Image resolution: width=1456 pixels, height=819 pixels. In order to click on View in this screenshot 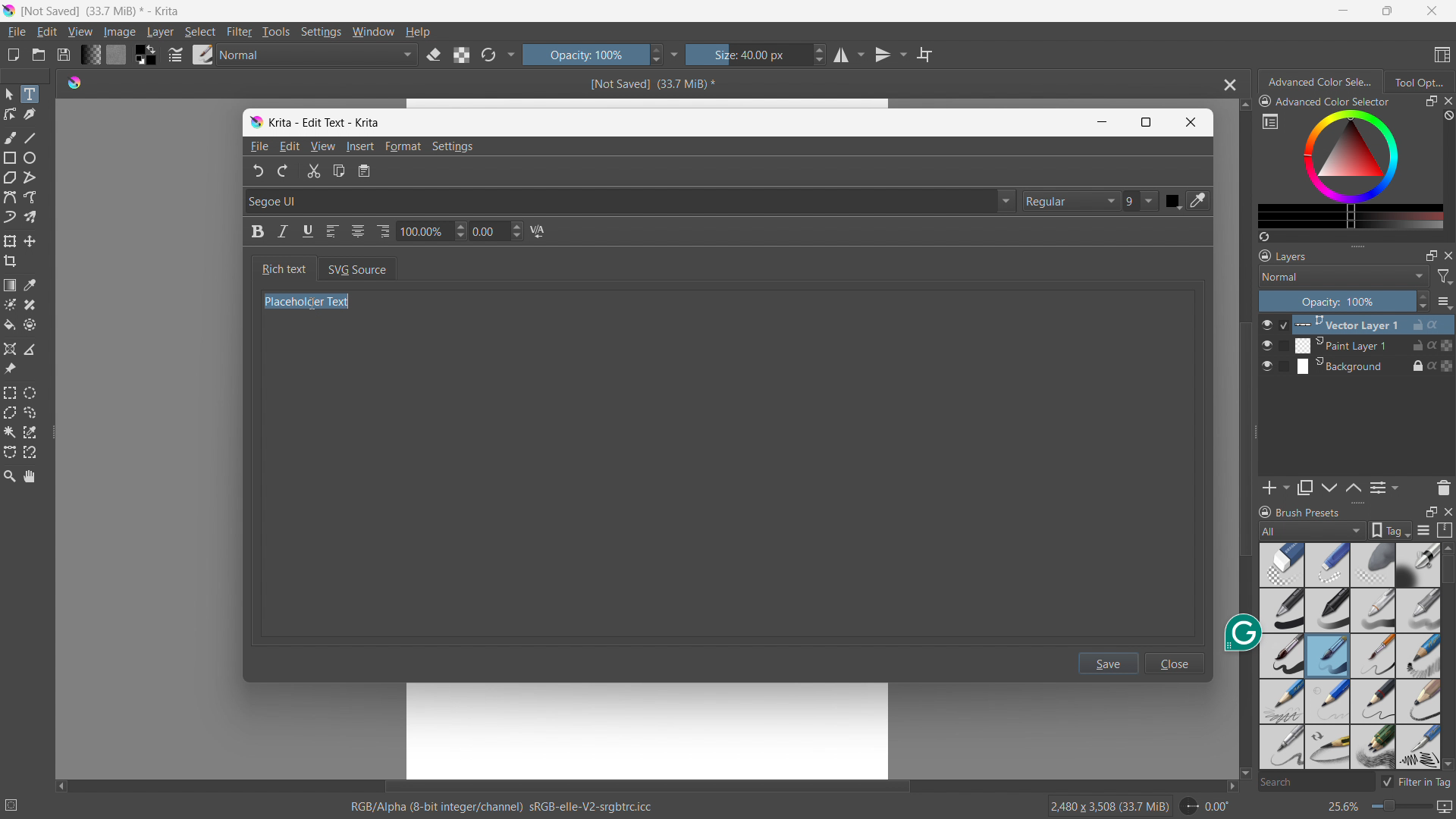, I will do `click(322, 146)`.